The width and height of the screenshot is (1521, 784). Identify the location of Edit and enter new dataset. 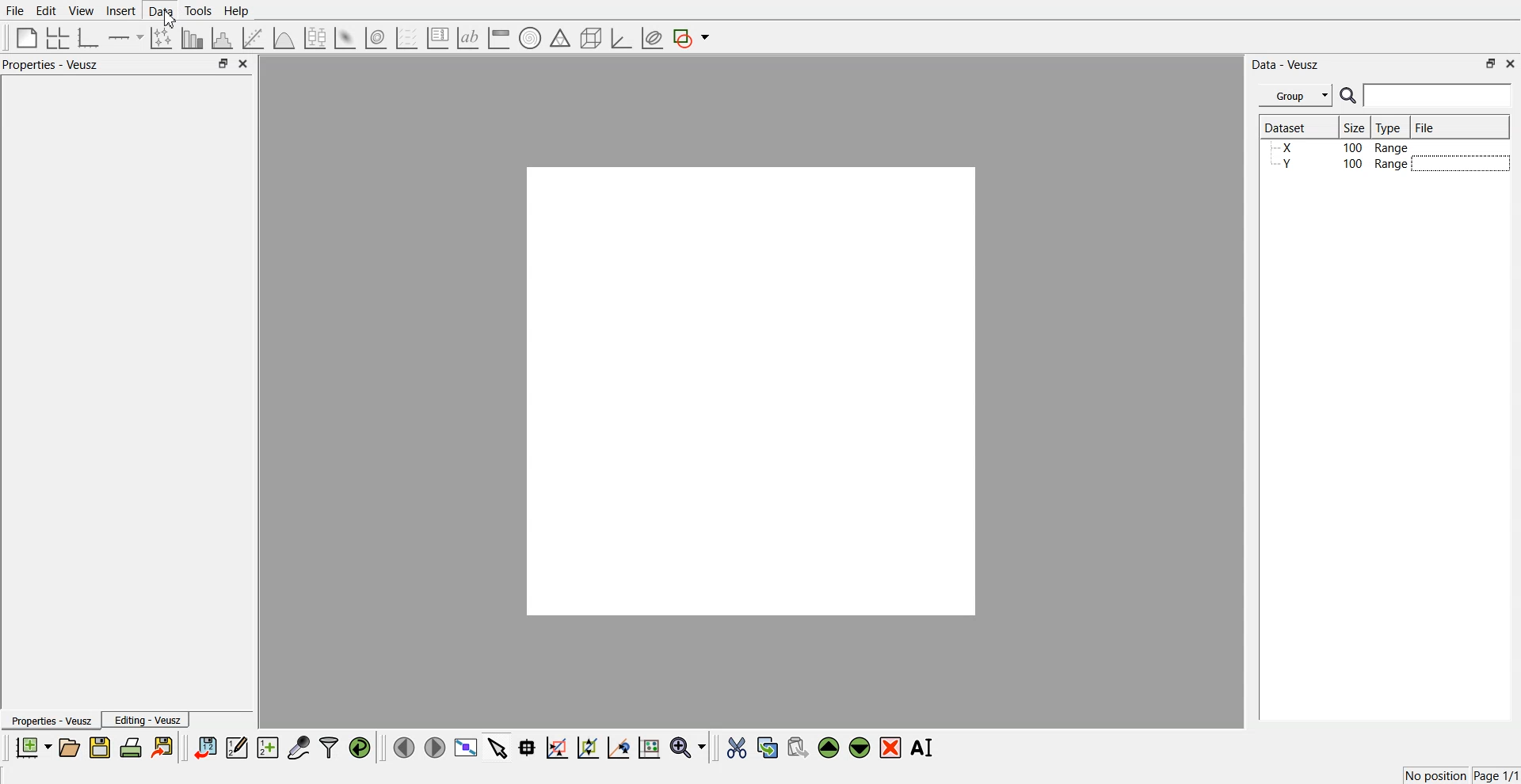
(236, 747).